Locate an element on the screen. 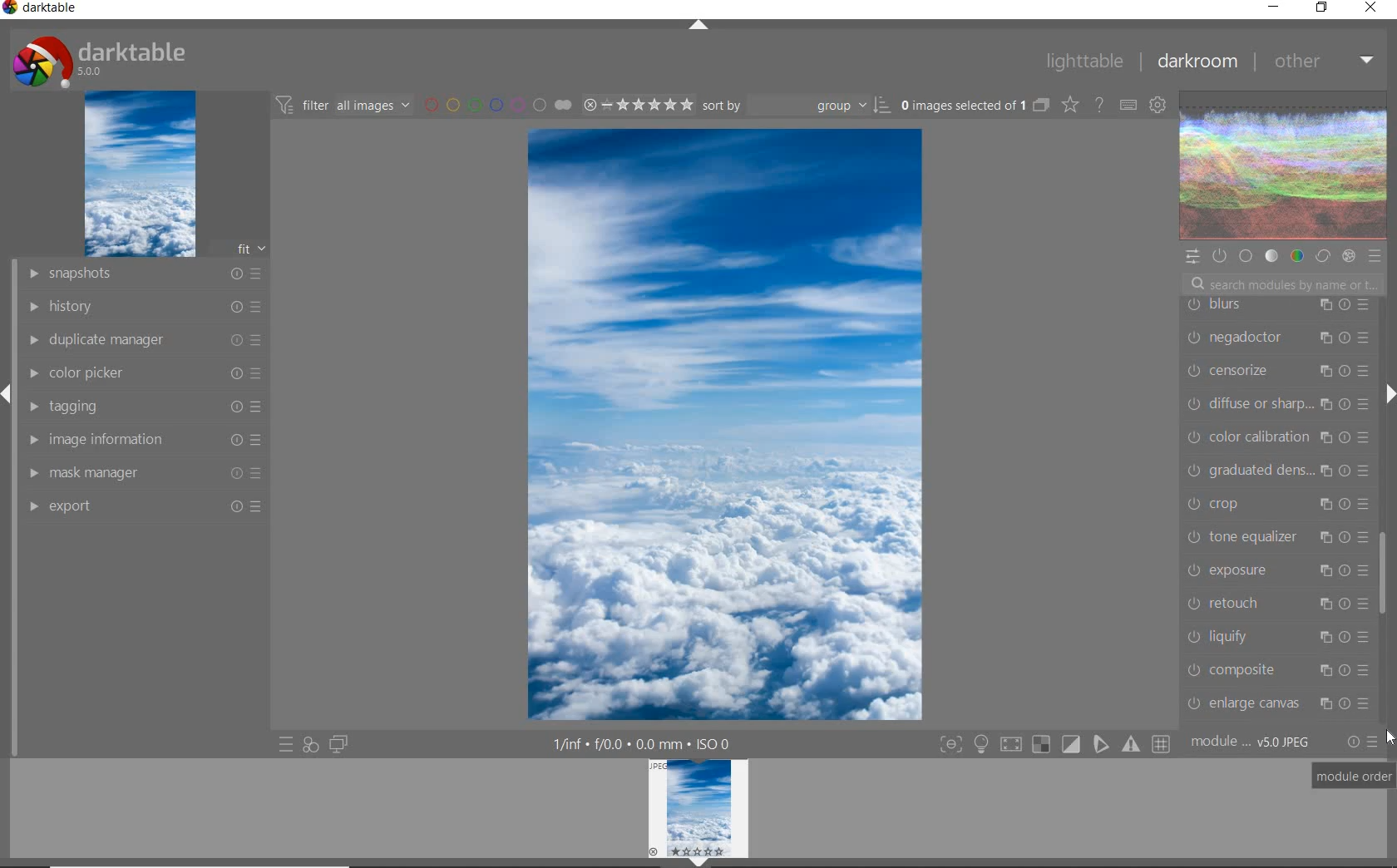 The width and height of the screenshot is (1397, 868). COLOR is located at coordinates (1296, 257).